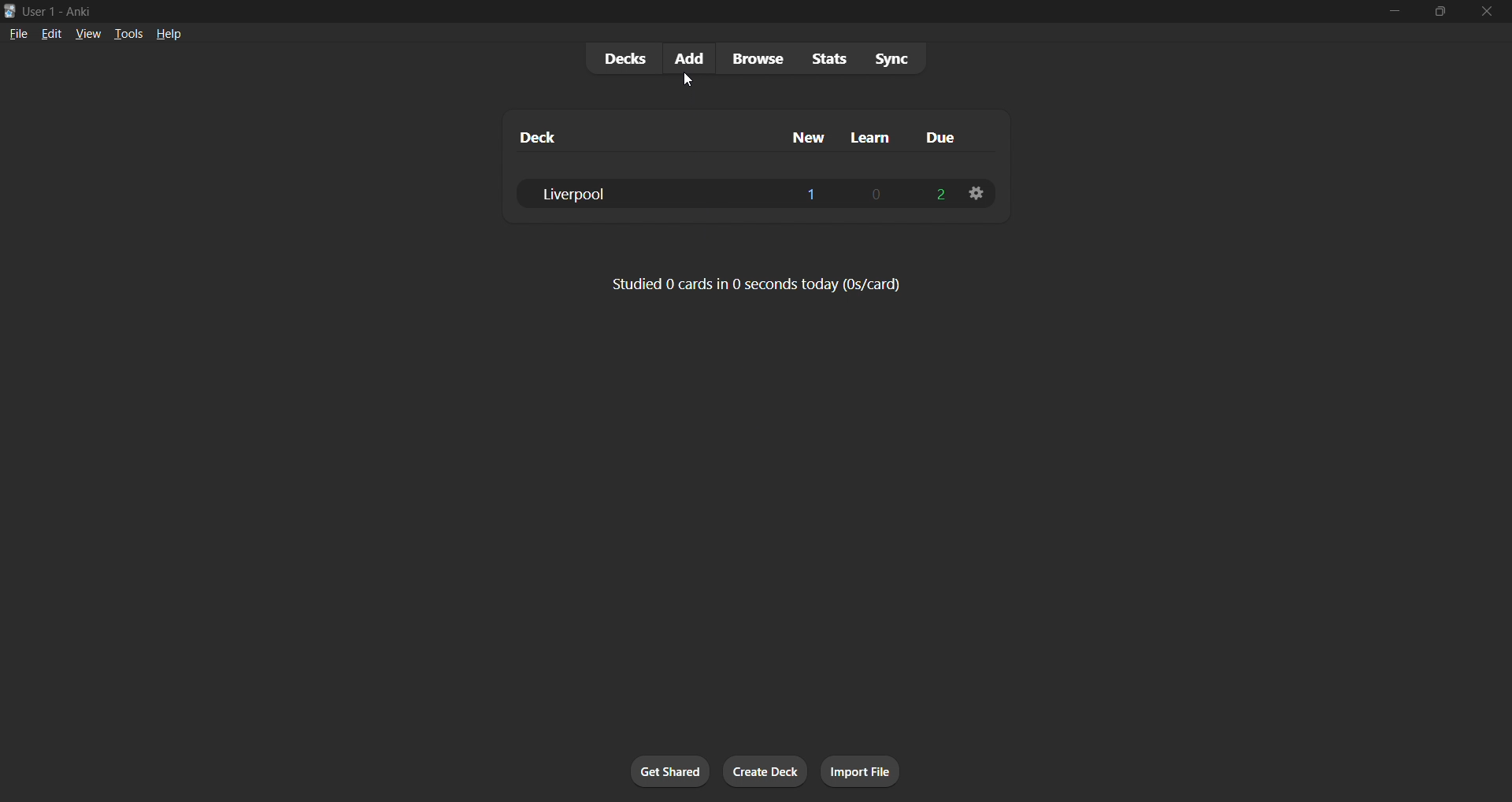 The image size is (1512, 802). What do you see at coordinates (685, 11) in the screenshot?
I see `User 1- Anki` at bounding box center [685, 11].